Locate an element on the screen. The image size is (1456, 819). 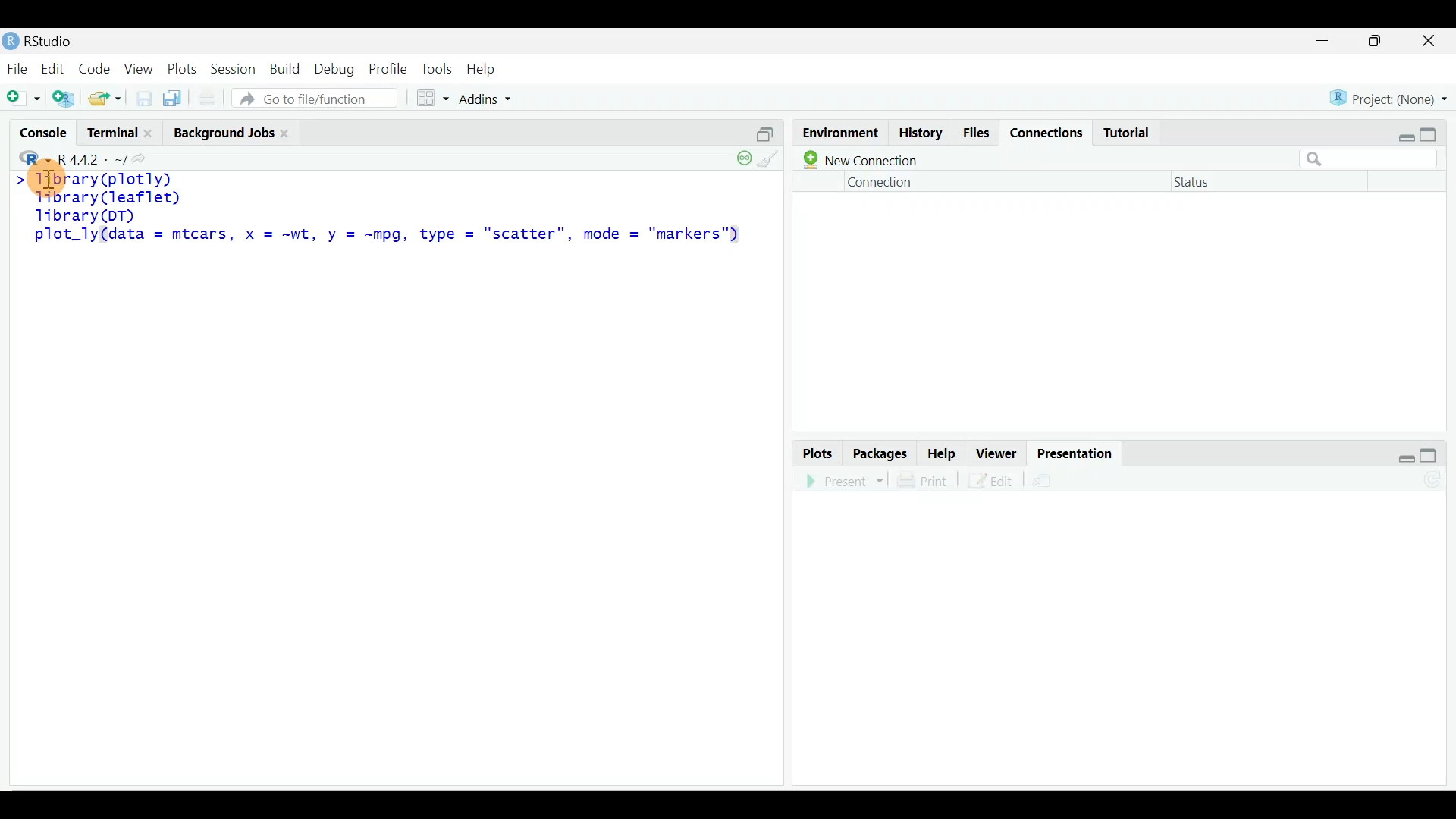
Go to file/function is located at coordinates (313, 99).